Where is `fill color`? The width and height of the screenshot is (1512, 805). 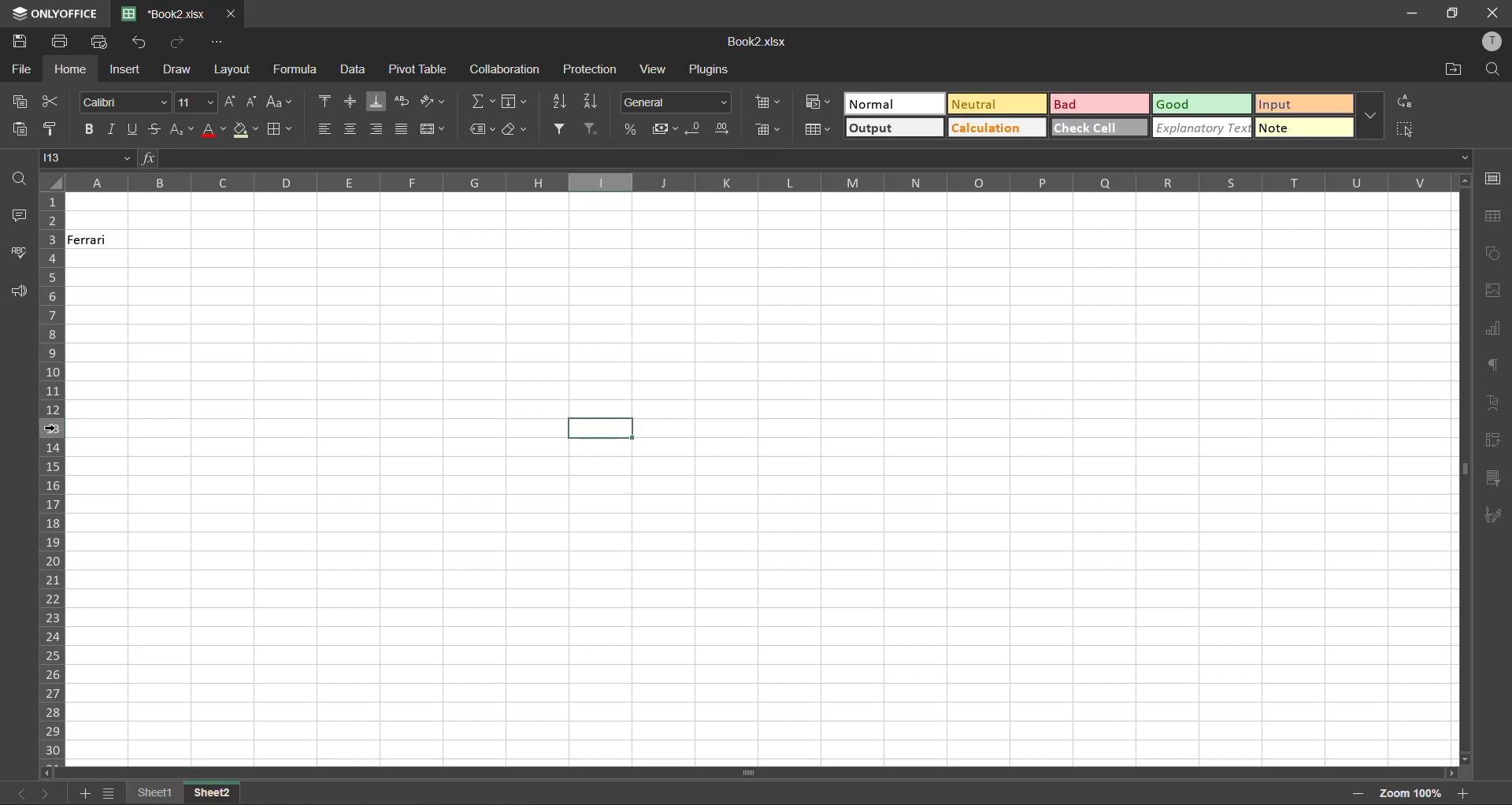
fill color is located at coordinates (244, 131).